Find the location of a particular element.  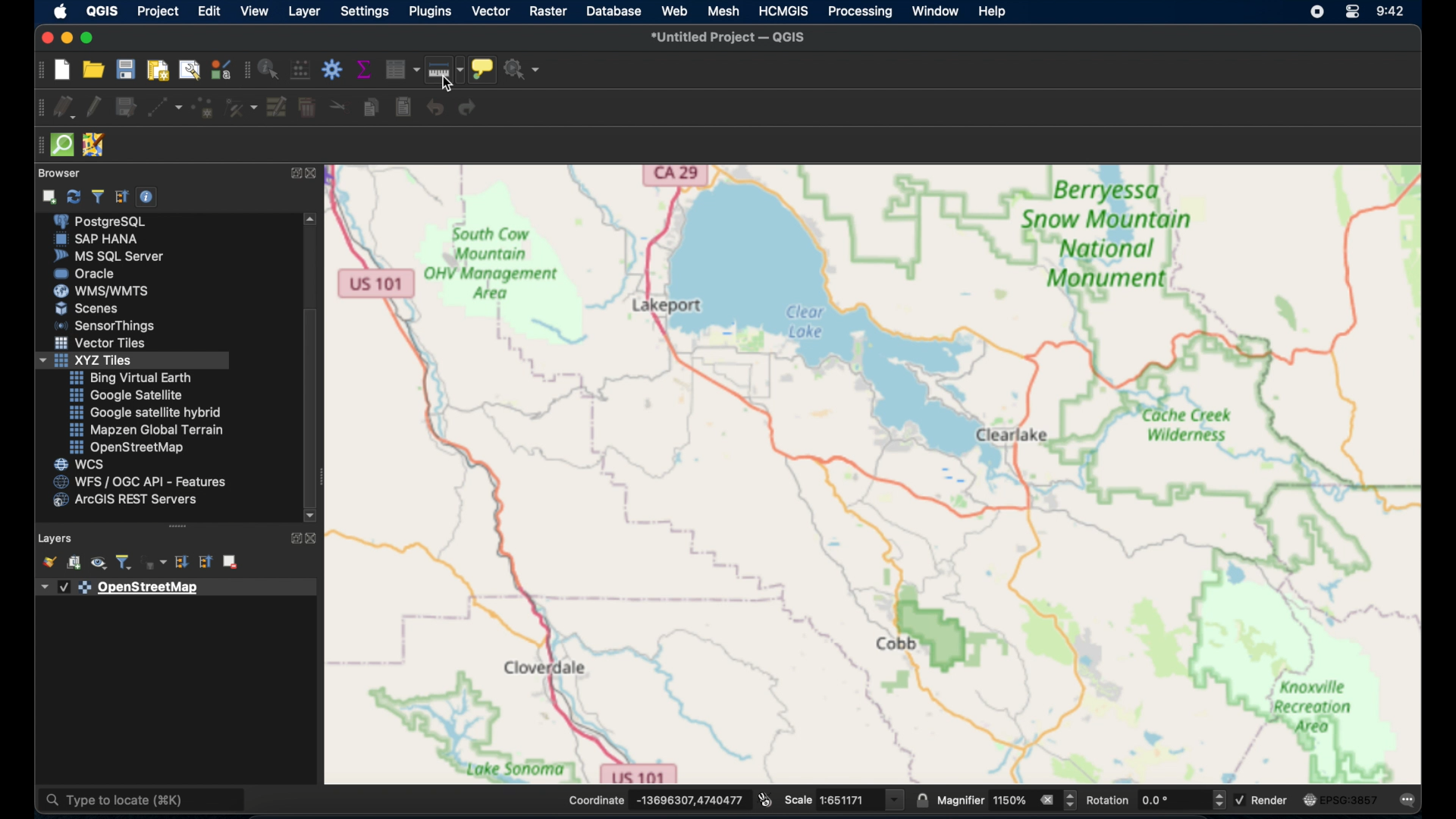

close is located at coordinates (317, 176).